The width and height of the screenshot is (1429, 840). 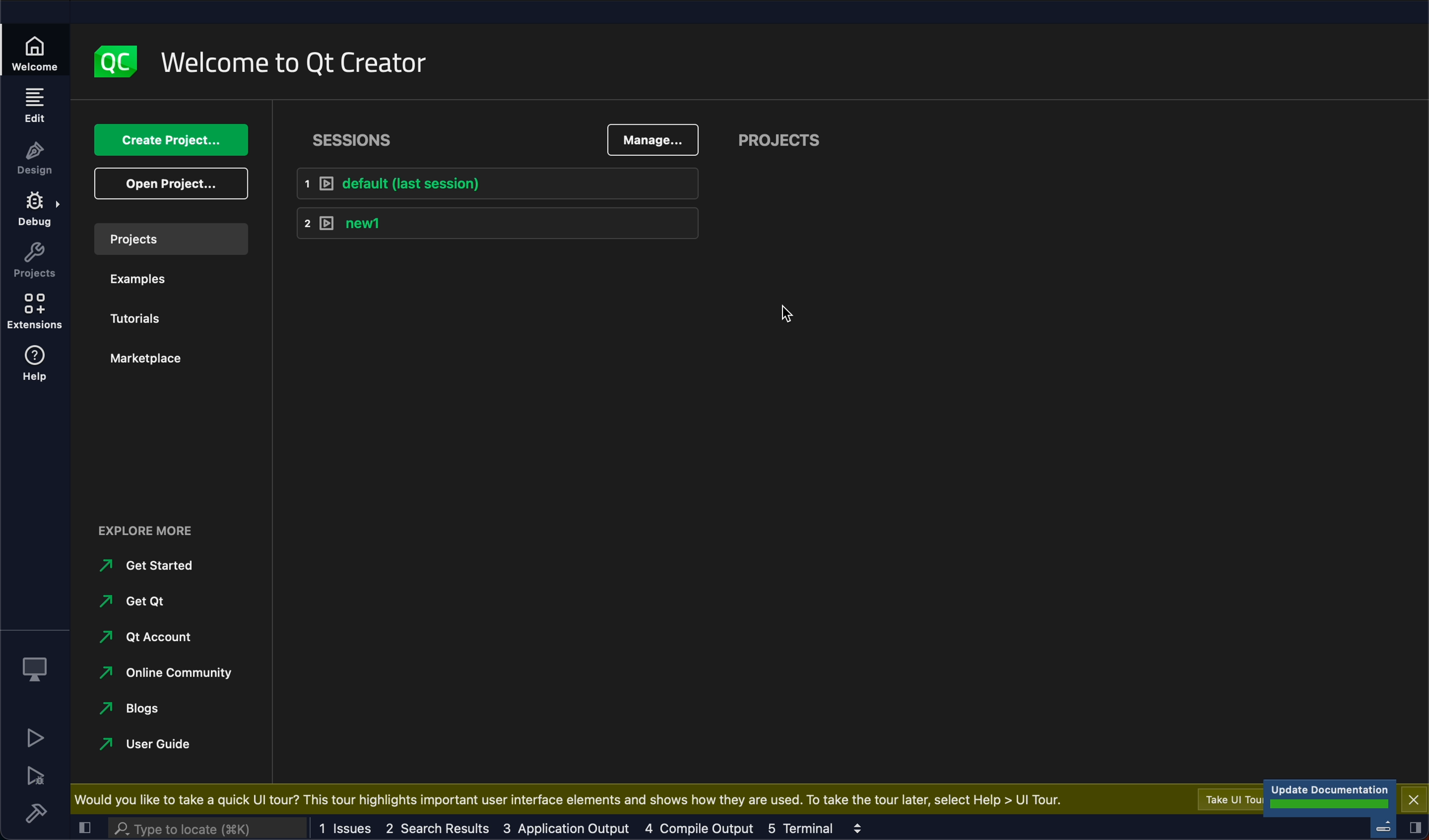 What do you see at coordinates (650, 139) in the screenshot?
I see `manage` at bounding box center [650, 139].